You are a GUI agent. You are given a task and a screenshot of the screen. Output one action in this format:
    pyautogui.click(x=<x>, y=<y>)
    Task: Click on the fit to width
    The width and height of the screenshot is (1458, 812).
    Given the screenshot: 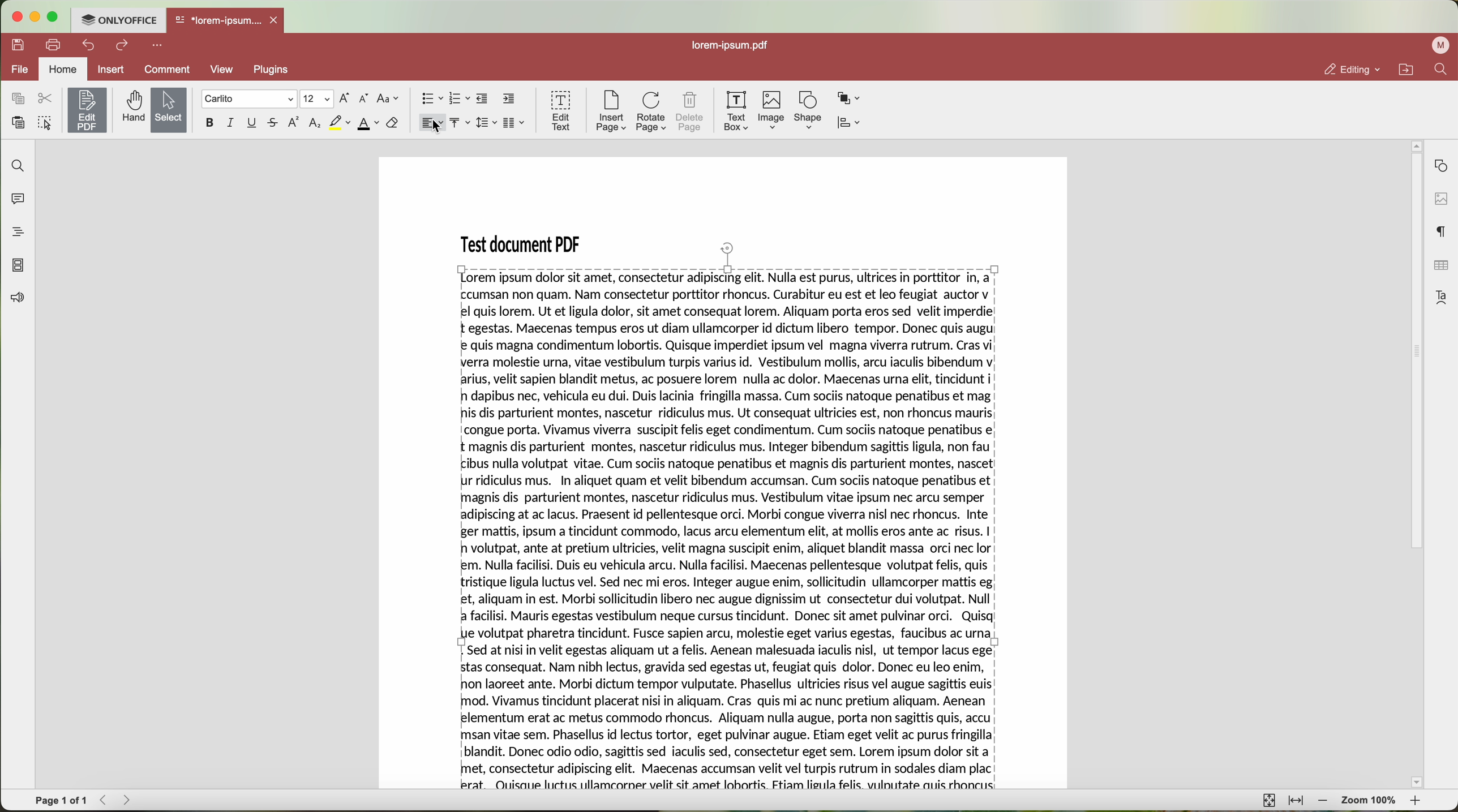 What is the action you would take?
    pyautogui.click(x=1297, y=801)
    